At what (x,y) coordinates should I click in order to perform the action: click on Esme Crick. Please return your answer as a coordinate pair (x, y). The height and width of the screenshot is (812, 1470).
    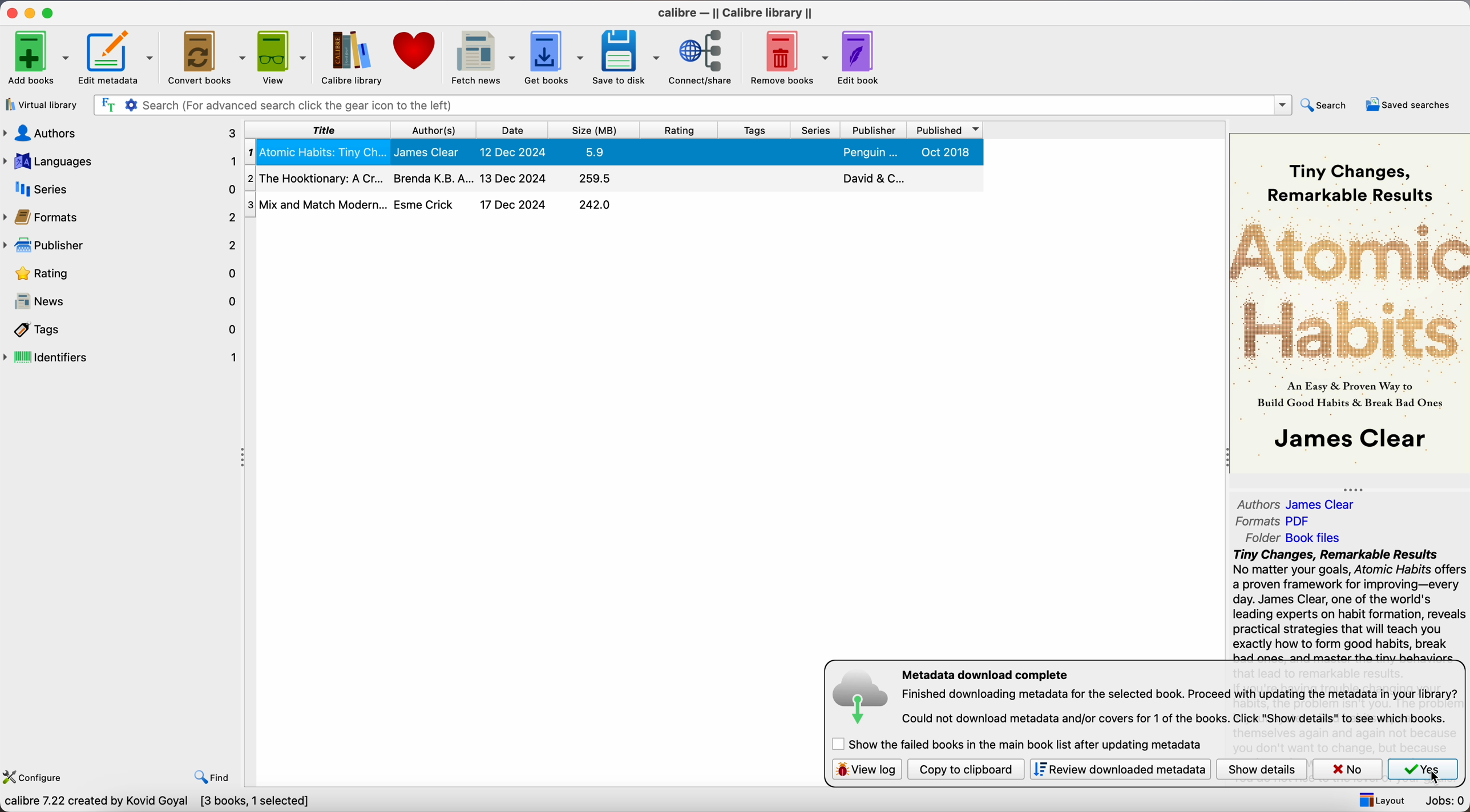
    Looking at the image, I should click on (426, 204).